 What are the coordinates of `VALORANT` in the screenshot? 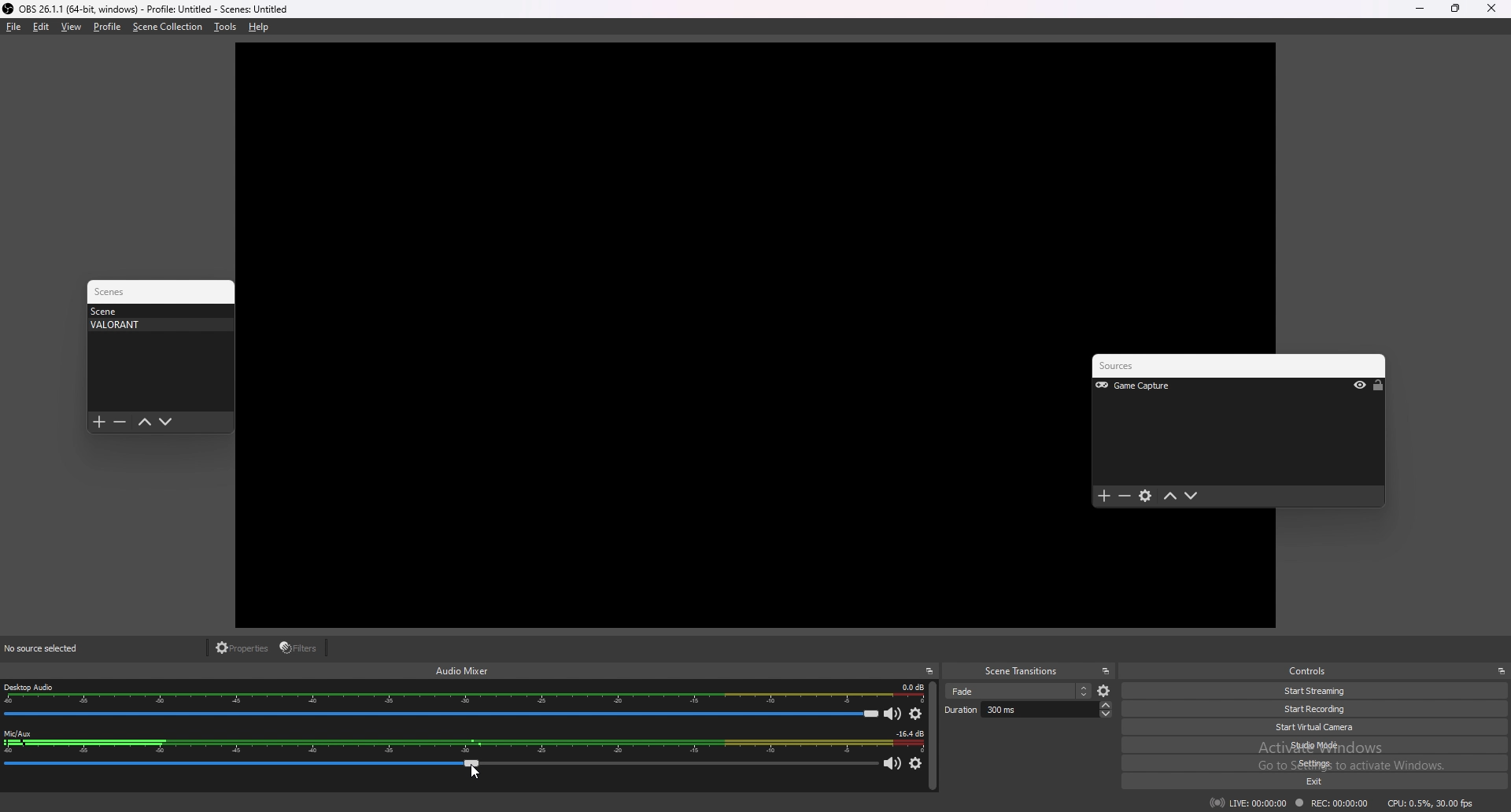 It's located at (156, 325).